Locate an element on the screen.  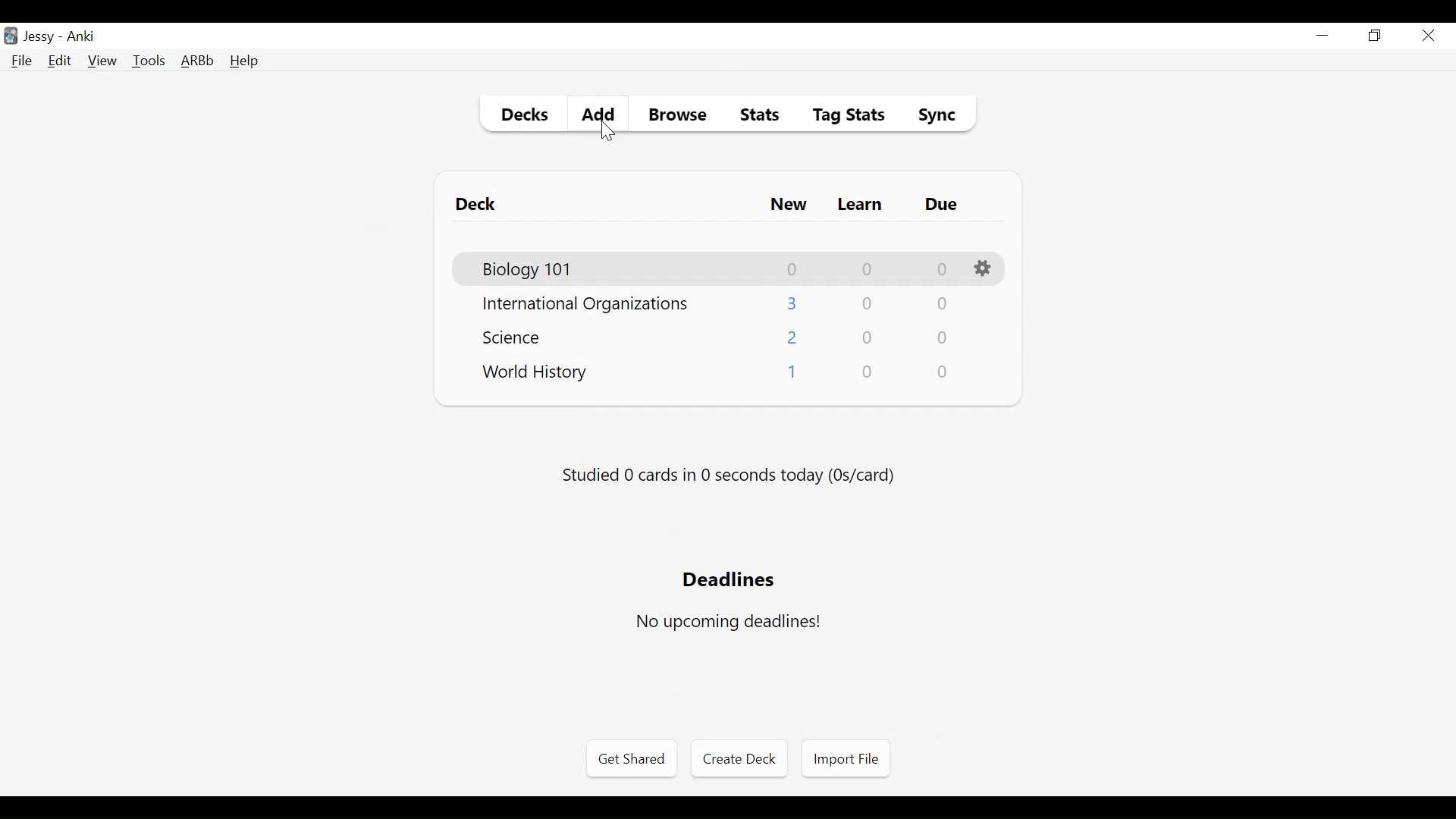
Stats is located at coordinates (755, 115).